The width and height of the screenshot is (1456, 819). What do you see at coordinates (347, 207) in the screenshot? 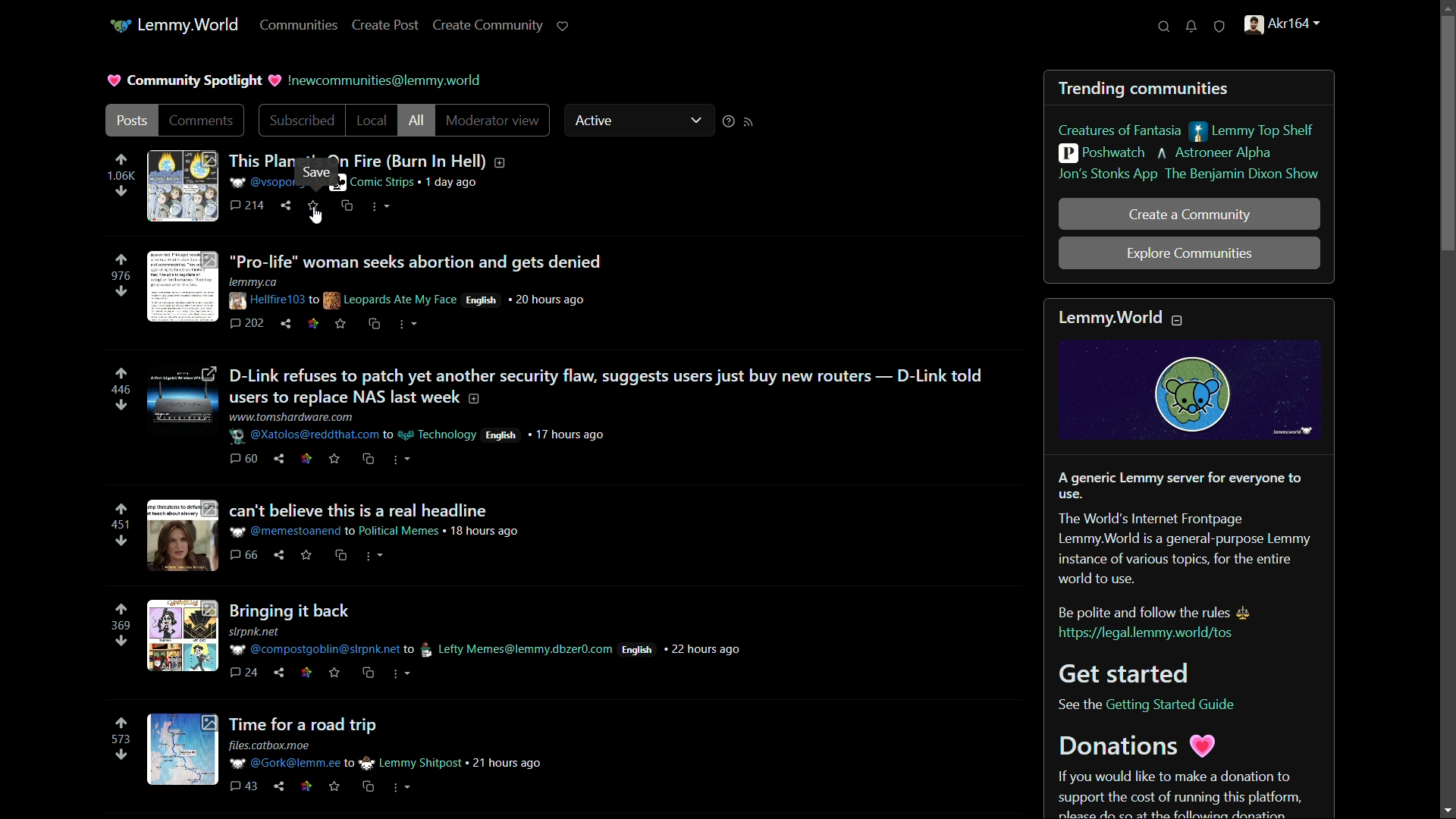
I see `copy` at bounding box center [347, 207].